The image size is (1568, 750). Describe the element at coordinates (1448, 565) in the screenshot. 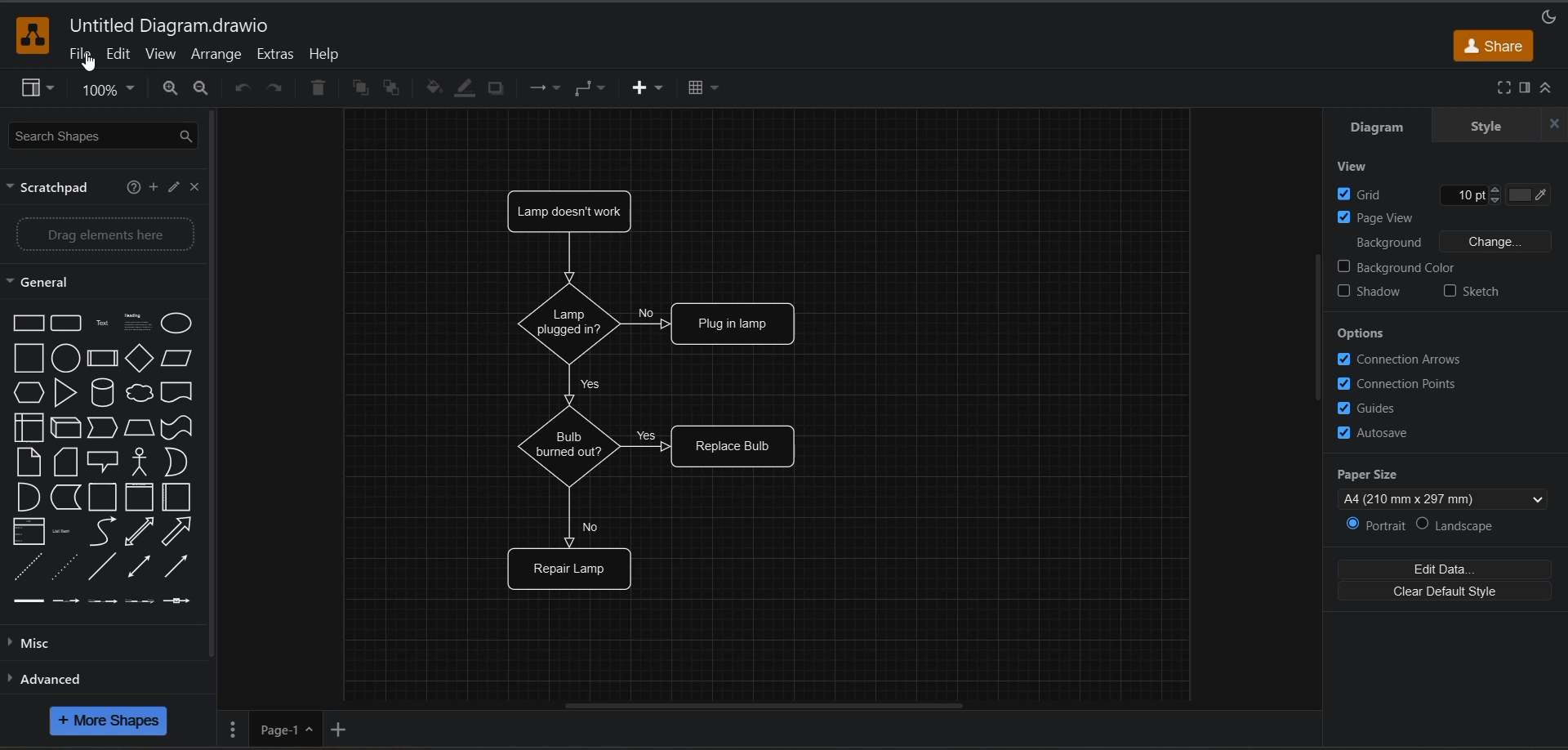

I see `edit data` at that location.